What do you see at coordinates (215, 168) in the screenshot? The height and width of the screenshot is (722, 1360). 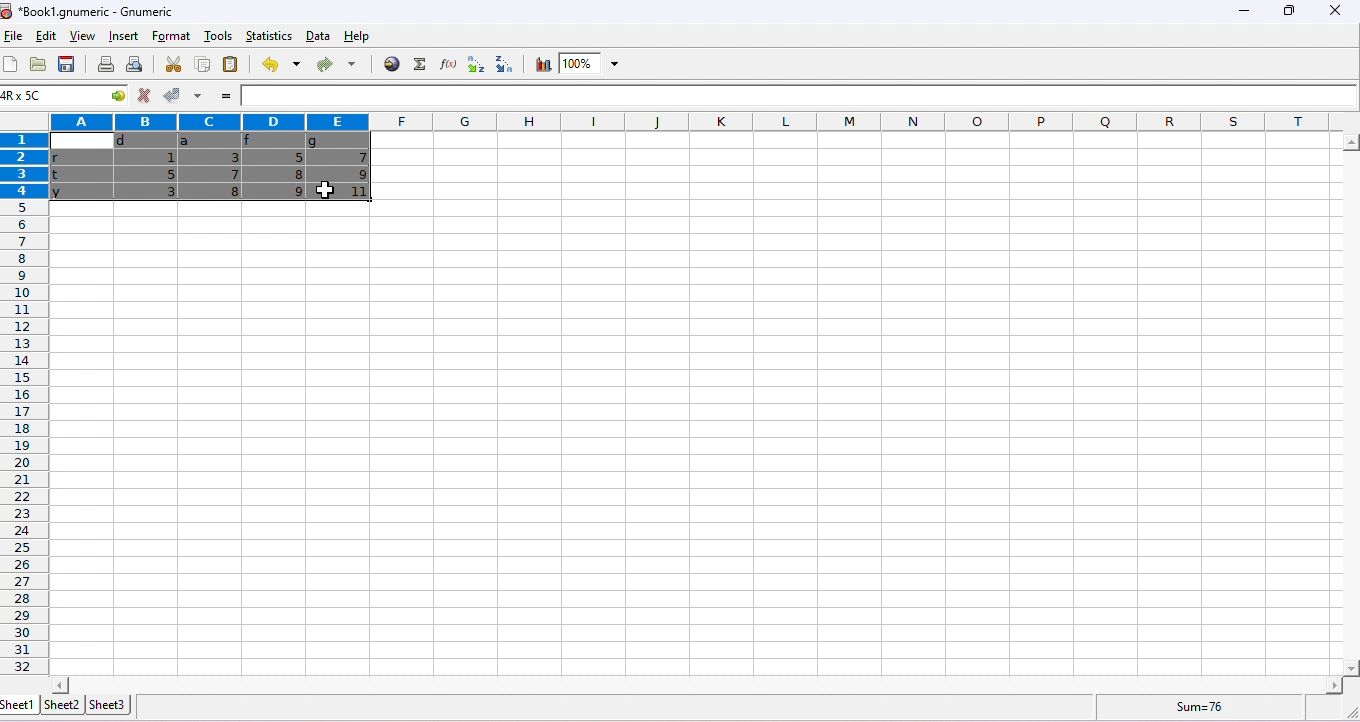 I see `dragged` at bounding box center [215, 168].